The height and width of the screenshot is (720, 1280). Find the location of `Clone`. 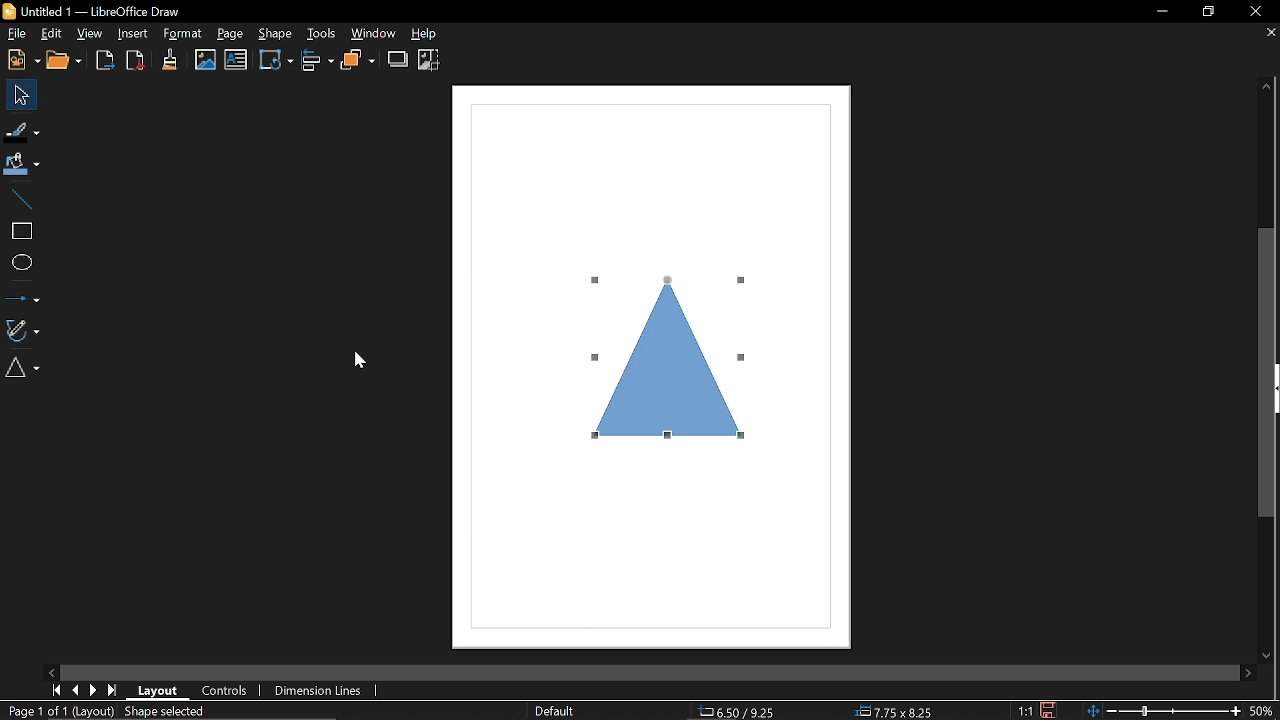

Clone is located at coordinates (170, 59).